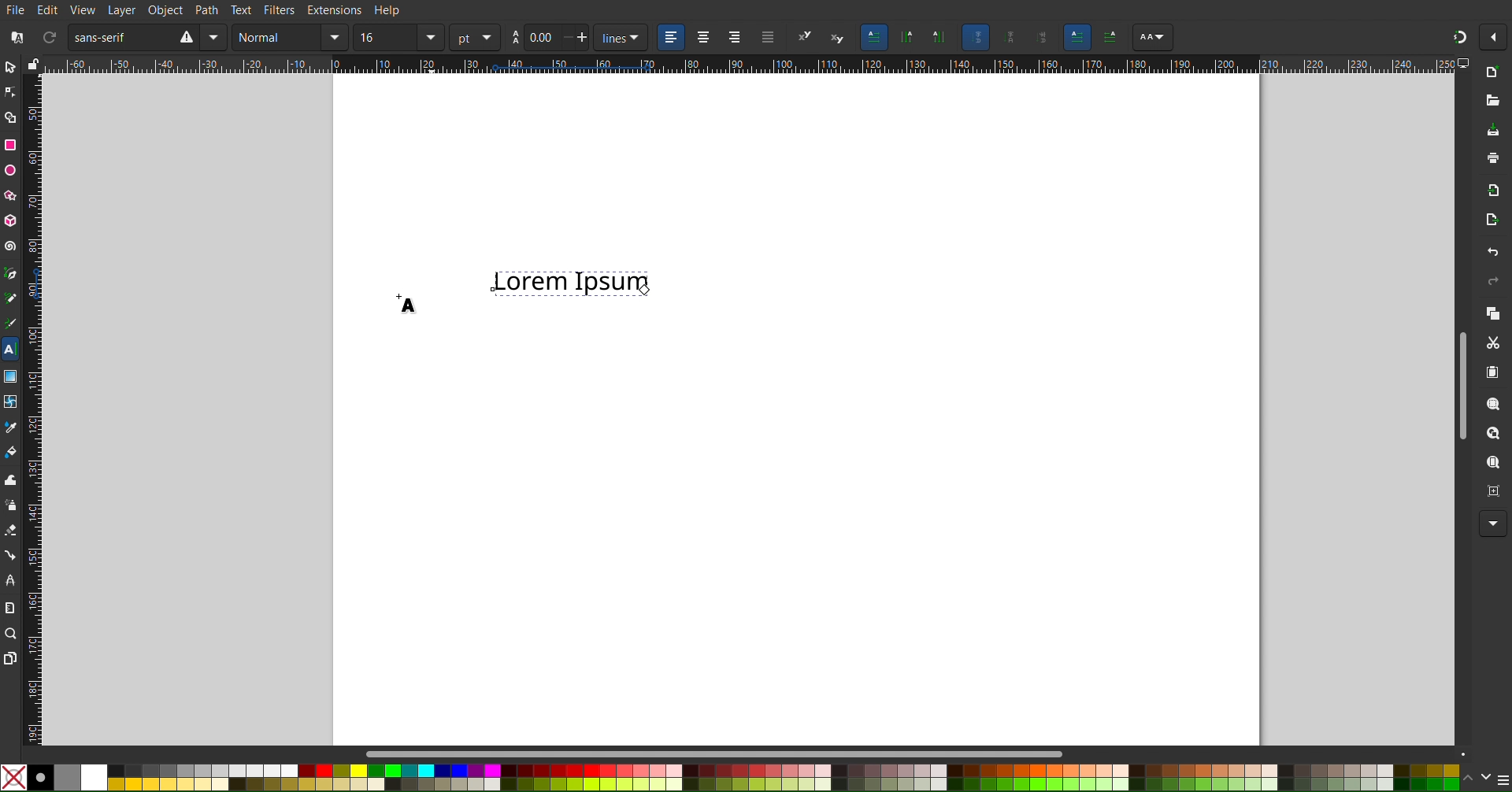 The image size is (1512, 792). What do you see at coordinates (669, 36) in the screenshot?
I see `left align` at bounding box center [669, 36].